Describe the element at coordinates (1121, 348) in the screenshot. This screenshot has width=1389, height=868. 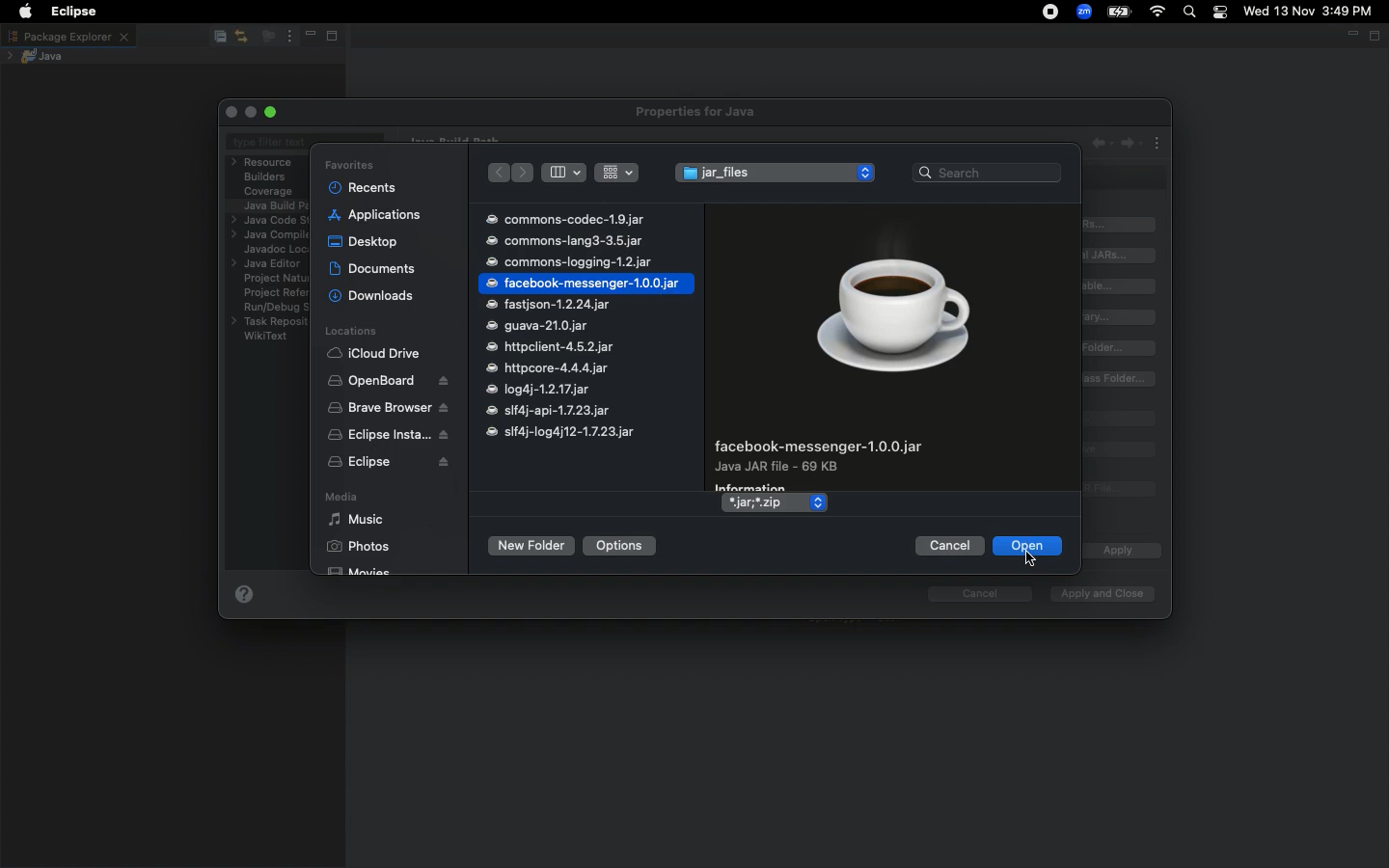
I see `Add class folder` at that location.